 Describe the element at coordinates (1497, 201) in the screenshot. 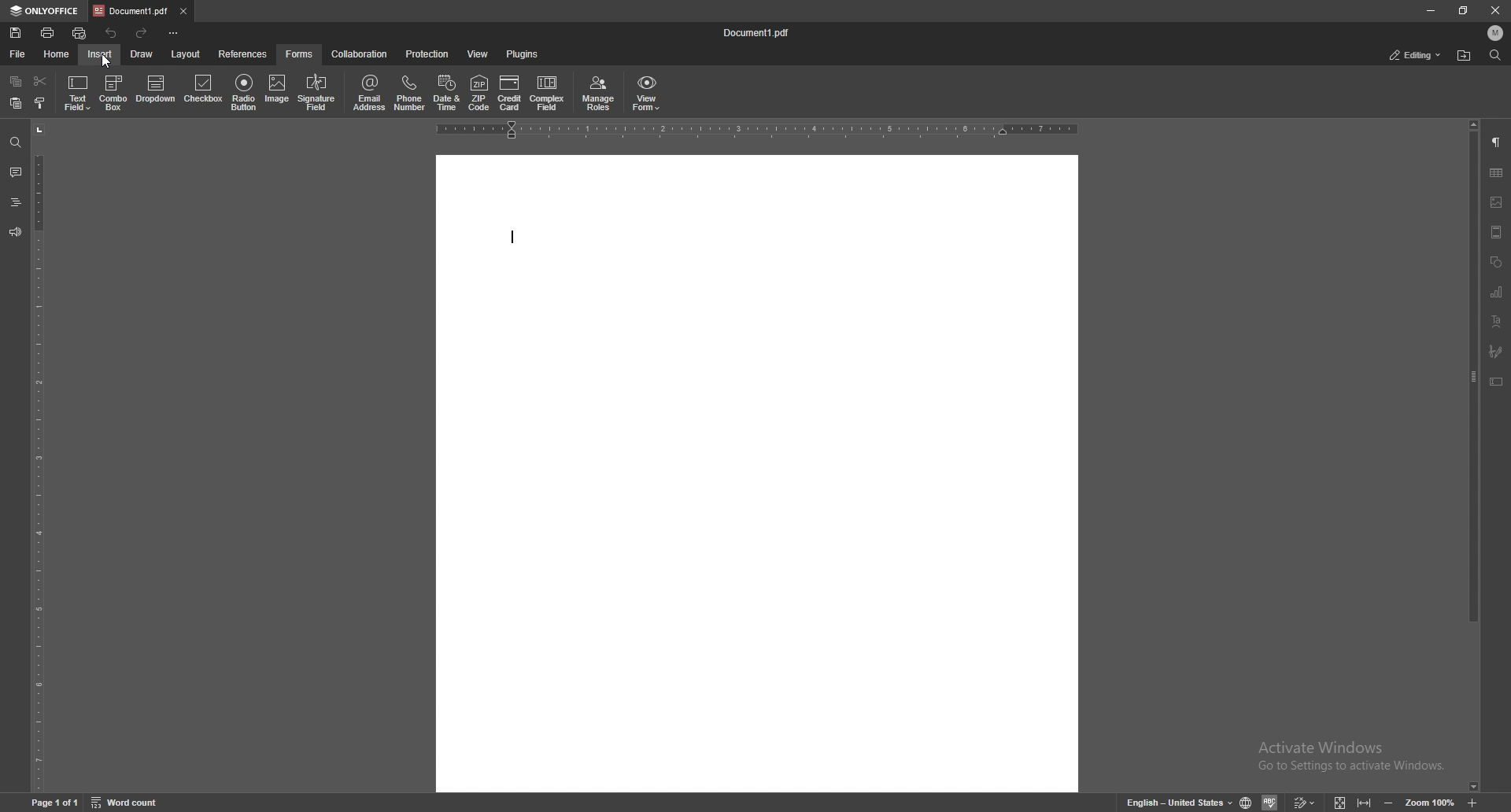

I see `image` at that location.